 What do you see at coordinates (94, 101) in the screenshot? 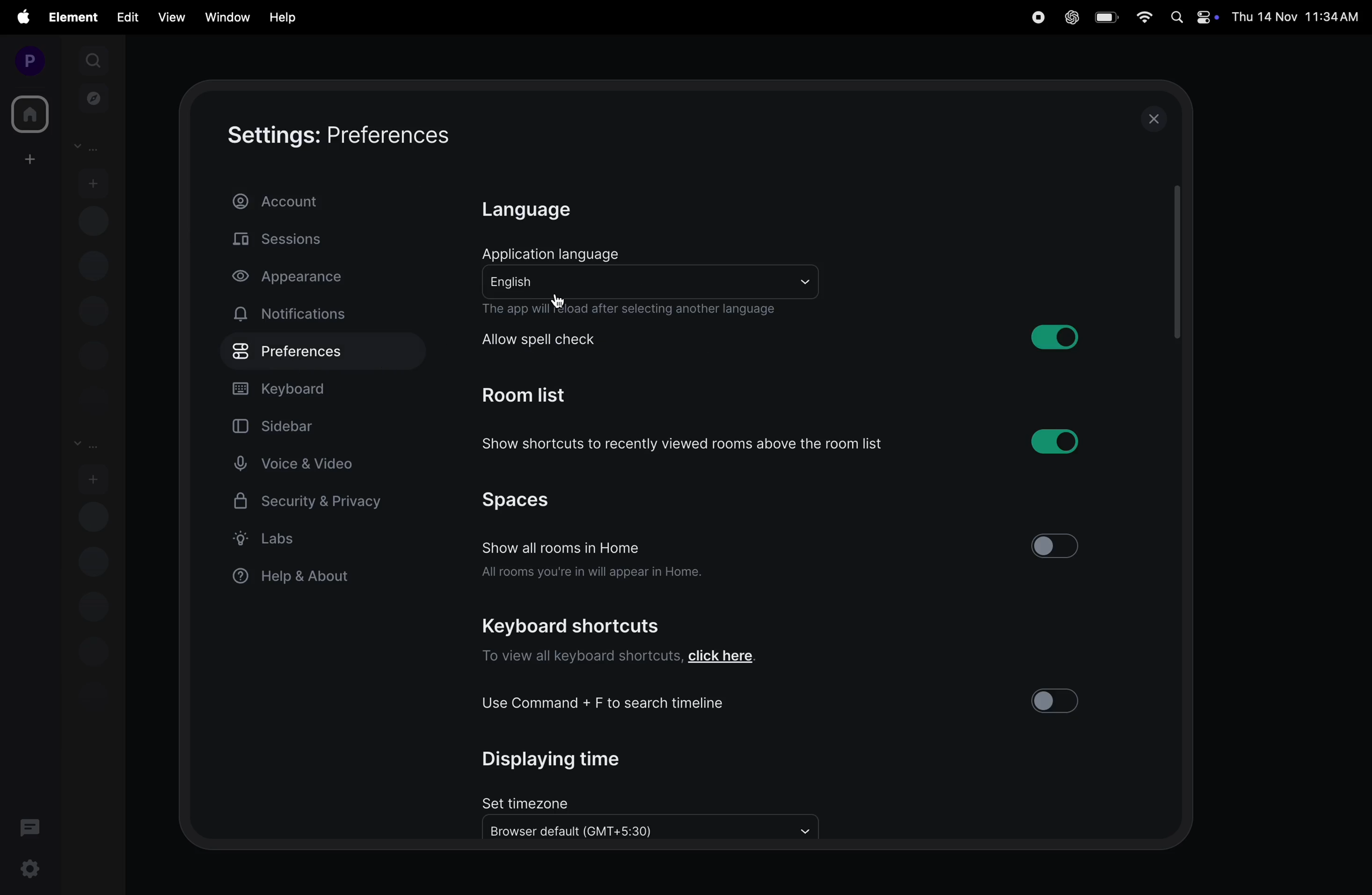
I see `explore rooms` at bounding box center [94, 101].